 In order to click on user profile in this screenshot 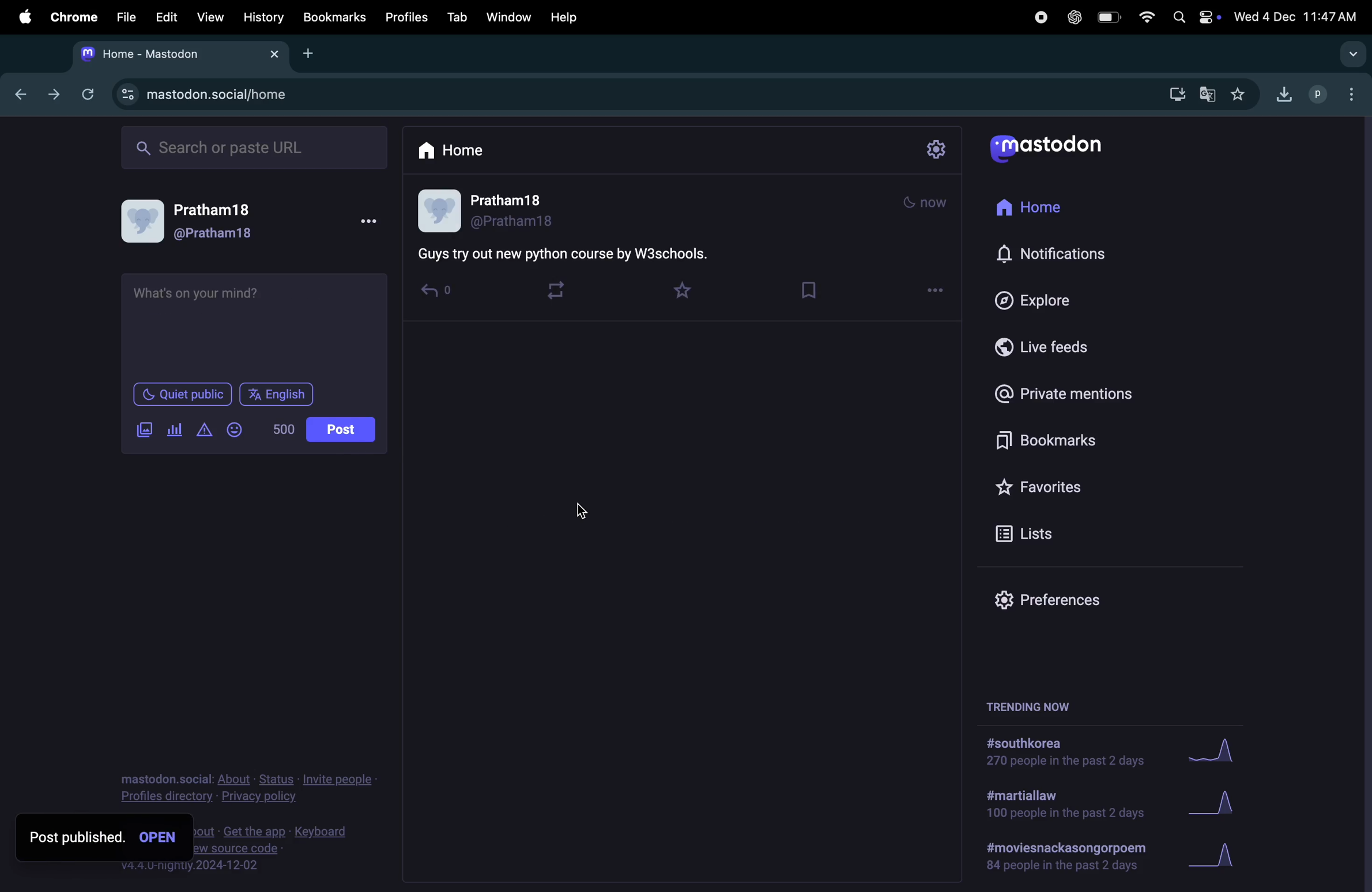, I will do `click(515, 211)`.